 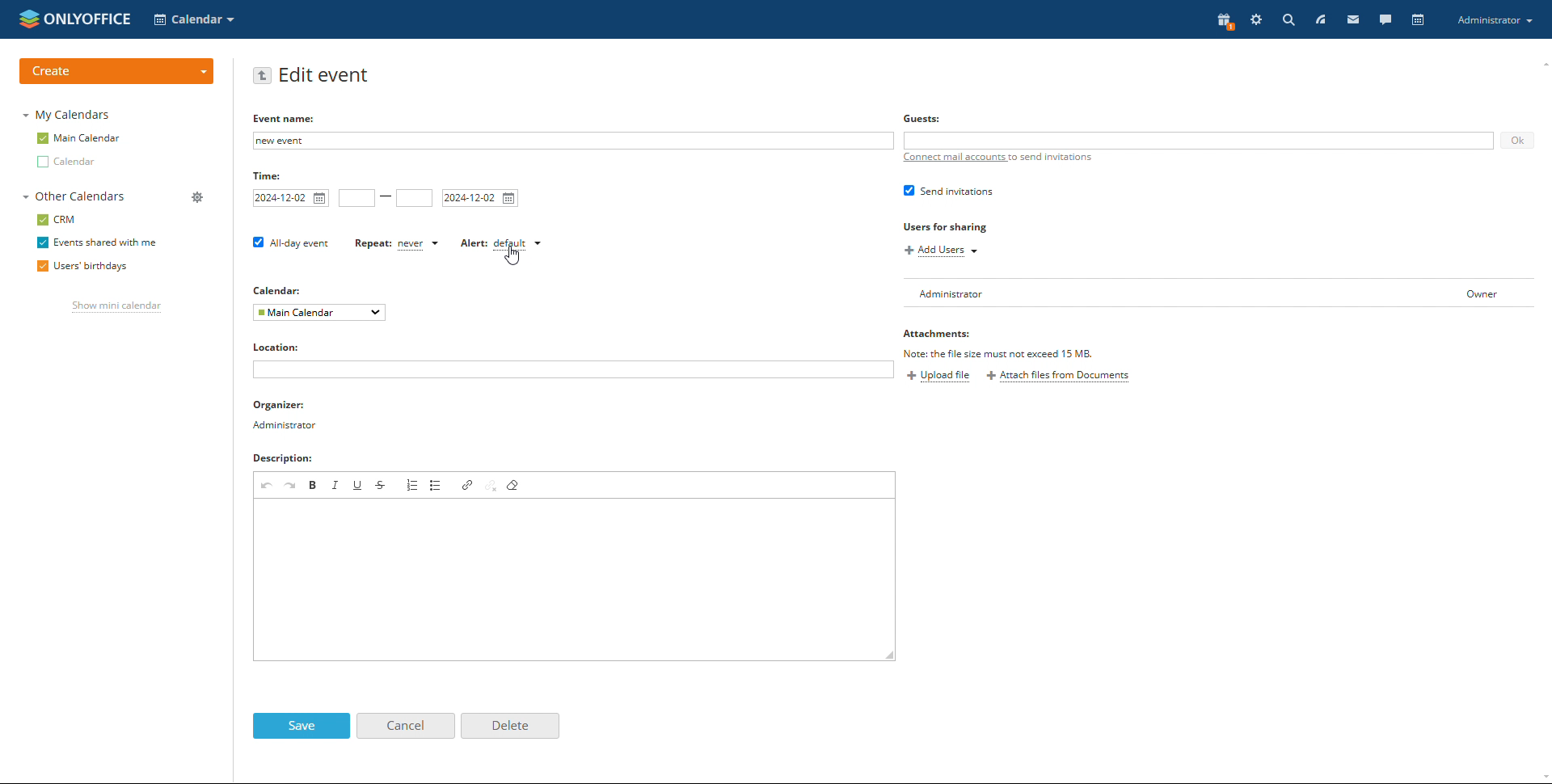 I want to click on add guests, so click(x=1198, y=140).